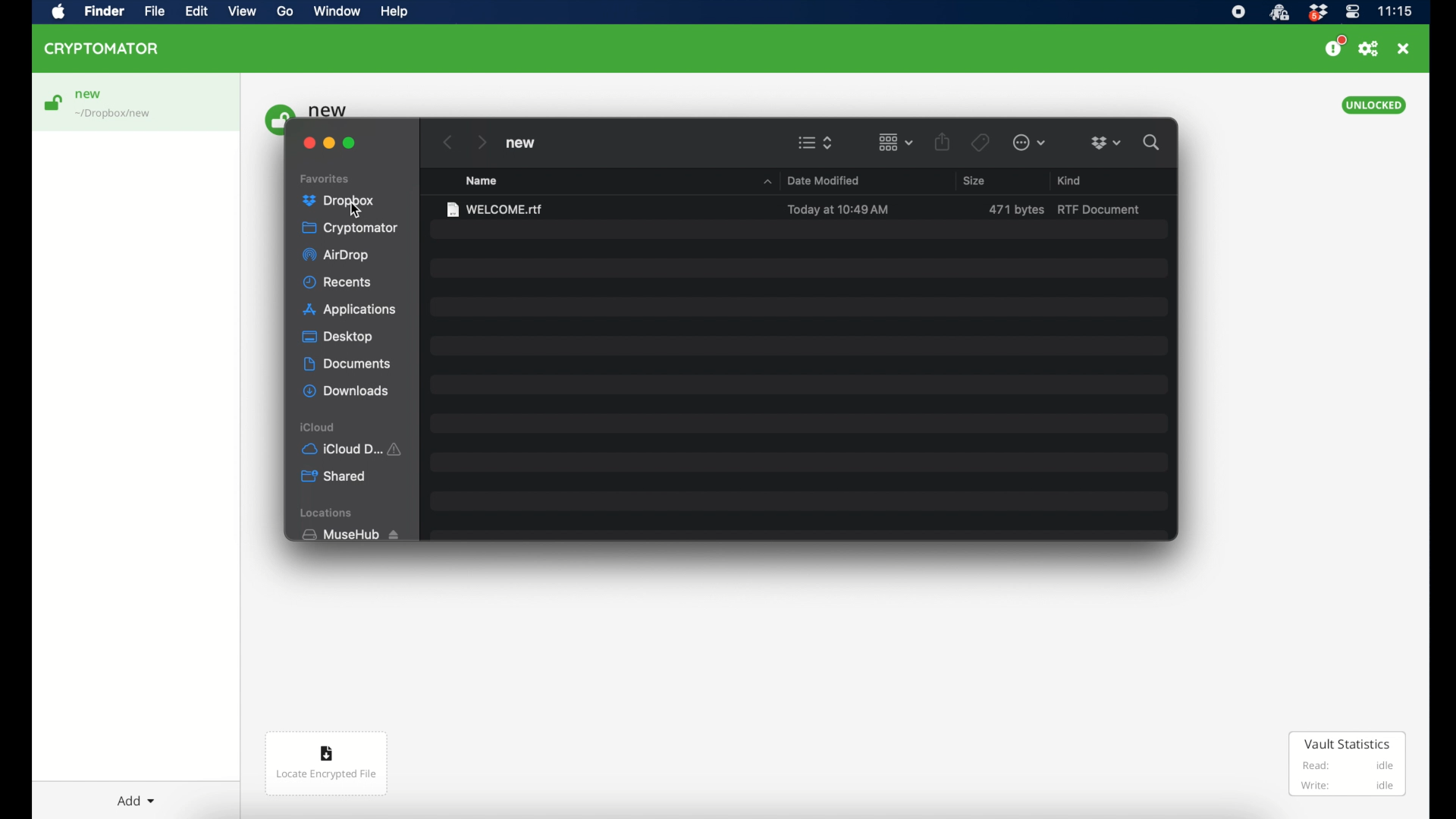  What do you see at coordinates (767, 182) in the screenshot?
I see `name dropdown` at bounding box center [767, 182].